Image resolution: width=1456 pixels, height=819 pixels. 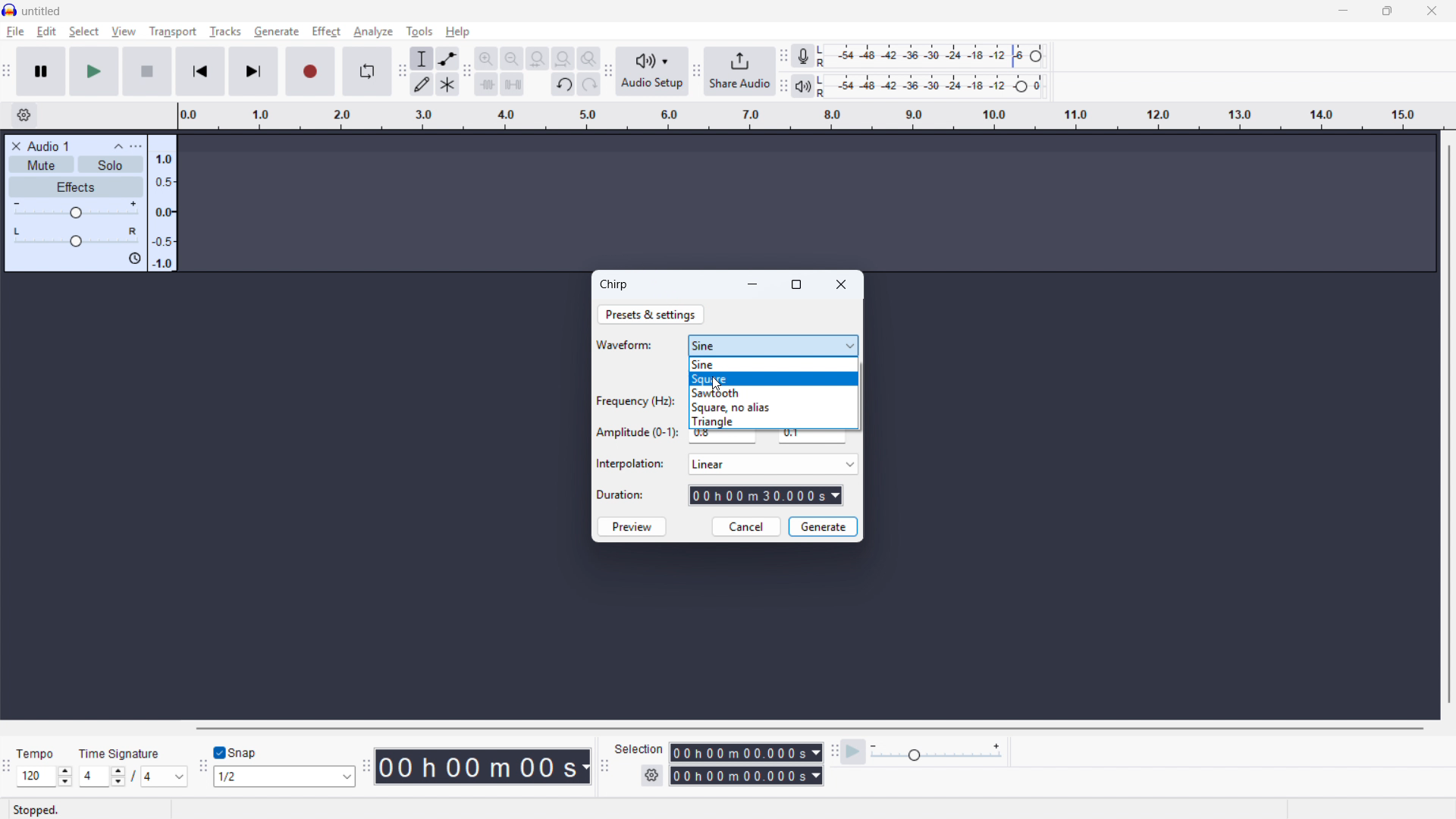 What do you see at coordinates (448, 58) in the screenshot?
I see `Envelope tool` at bounding box center [448, 58].